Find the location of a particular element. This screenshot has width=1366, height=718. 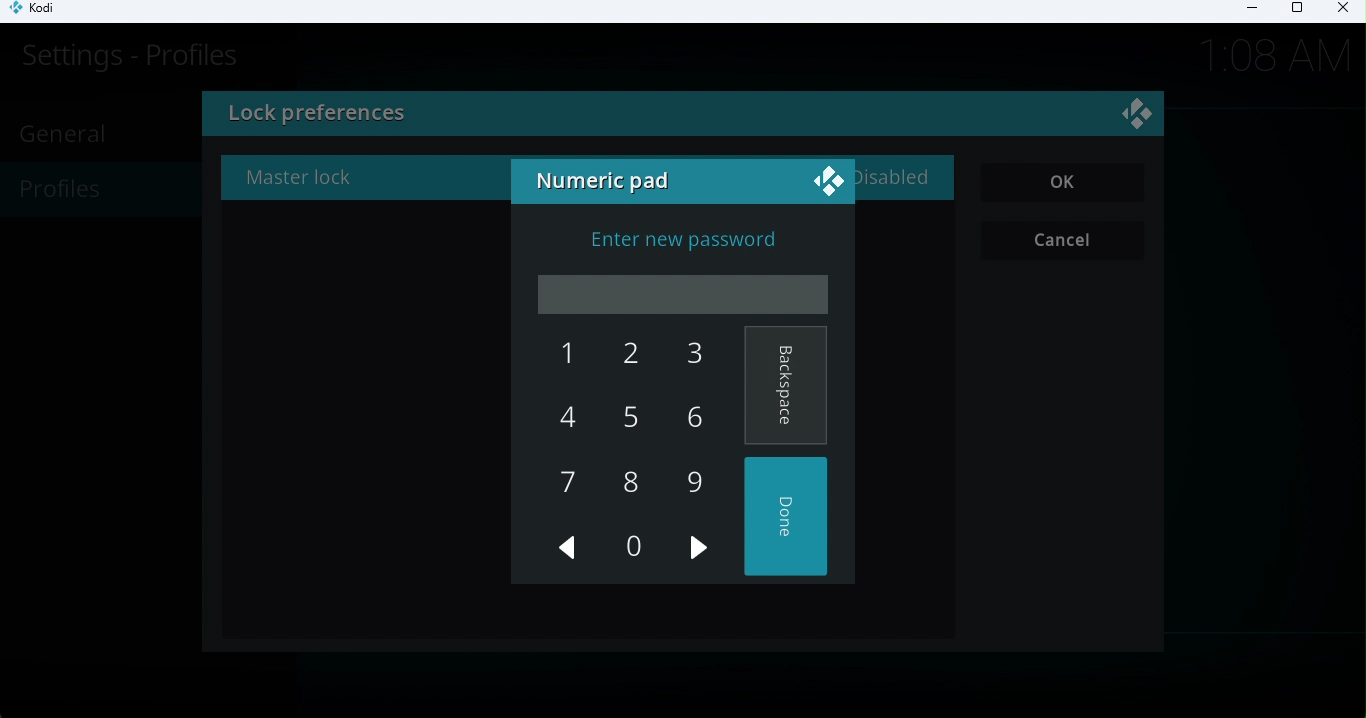

Next is located at coordinates (702, 550).